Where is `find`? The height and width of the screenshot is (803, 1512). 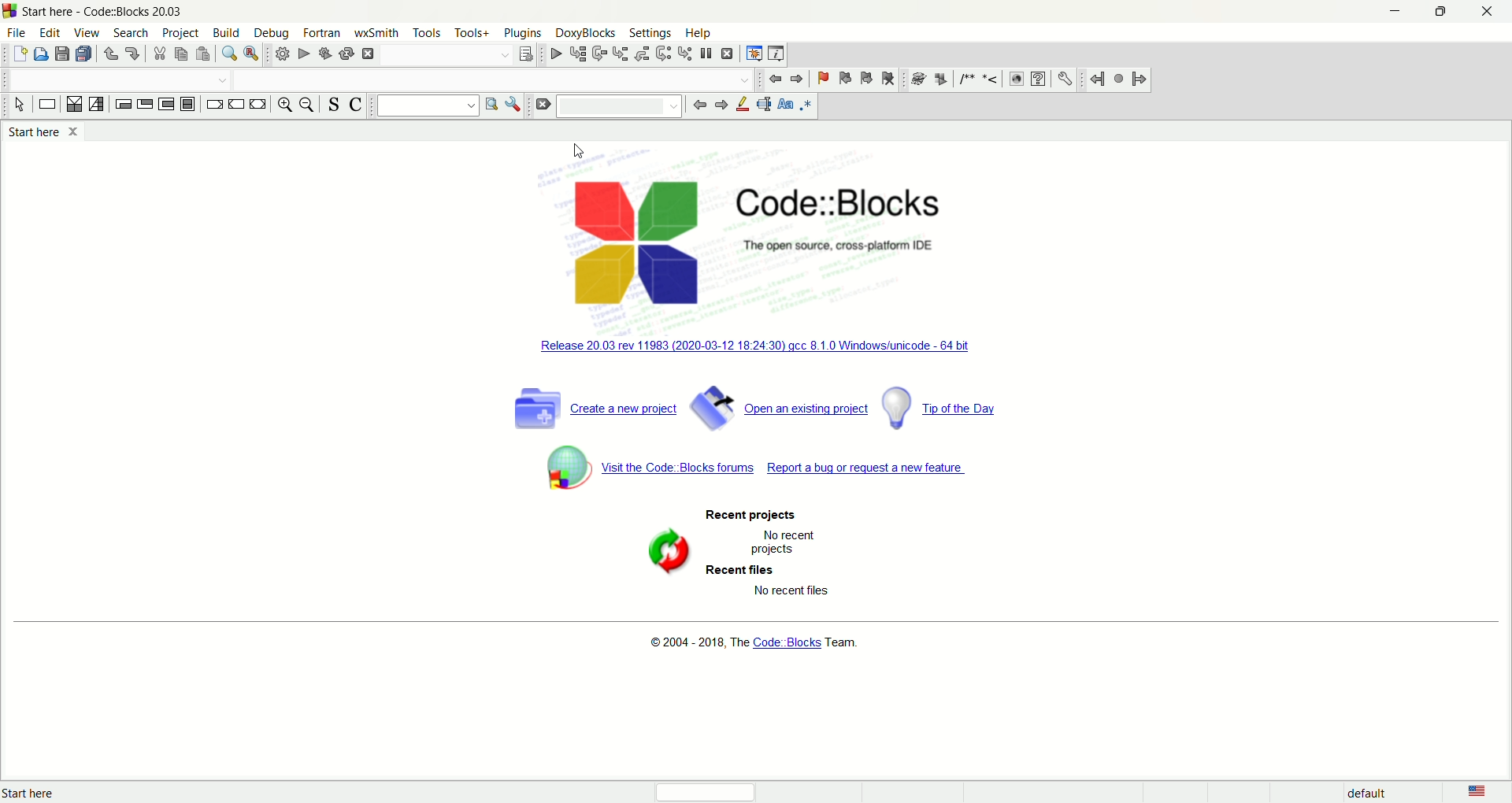 find is located at coordinates (228, 54).